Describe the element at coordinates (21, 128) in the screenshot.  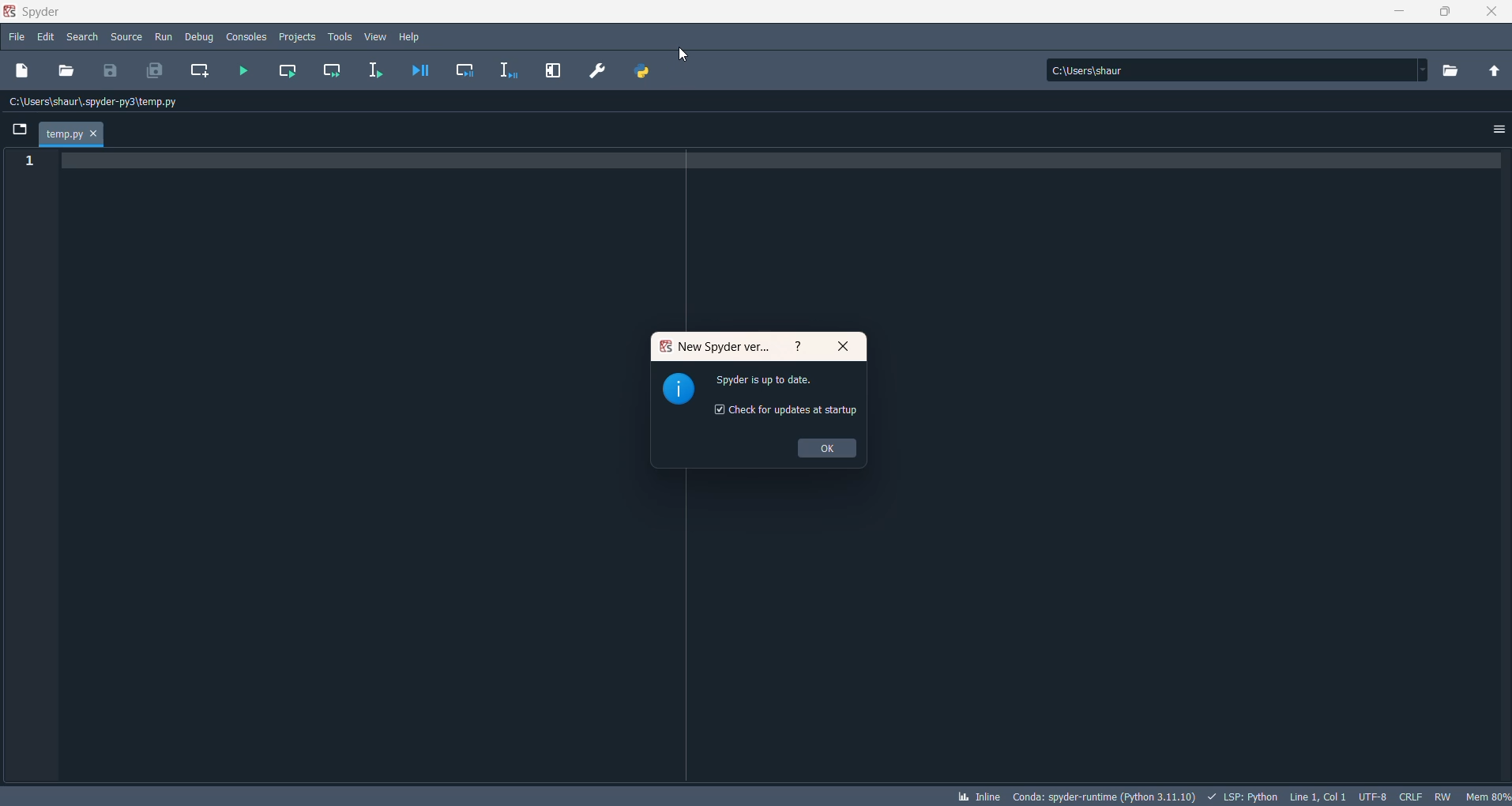
I see `browse tabs` at that location.